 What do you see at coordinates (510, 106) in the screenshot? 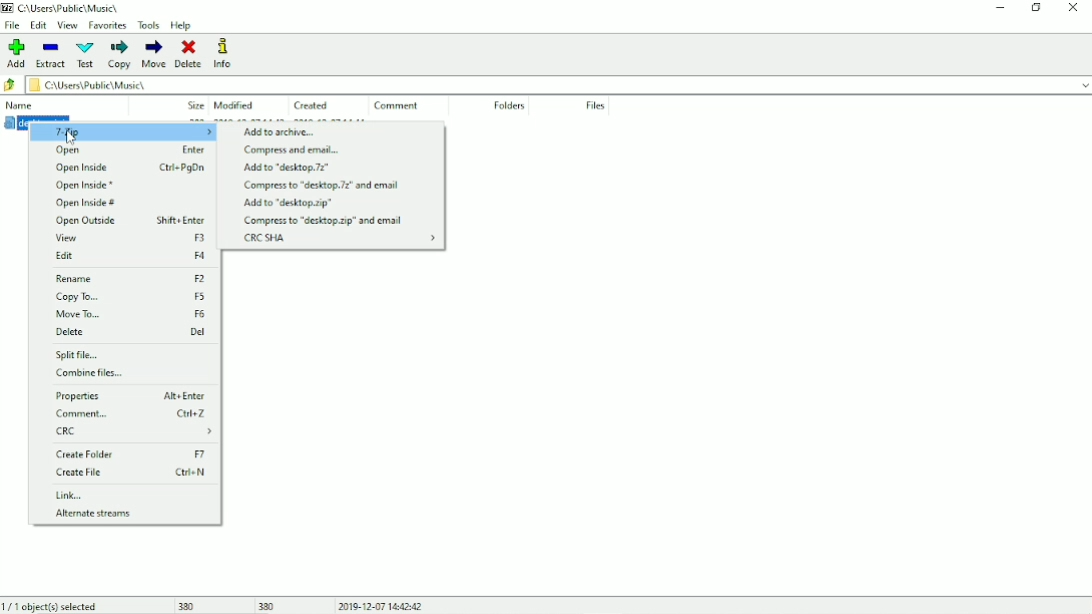
I see `Folders` at bounding box center [510, 106].